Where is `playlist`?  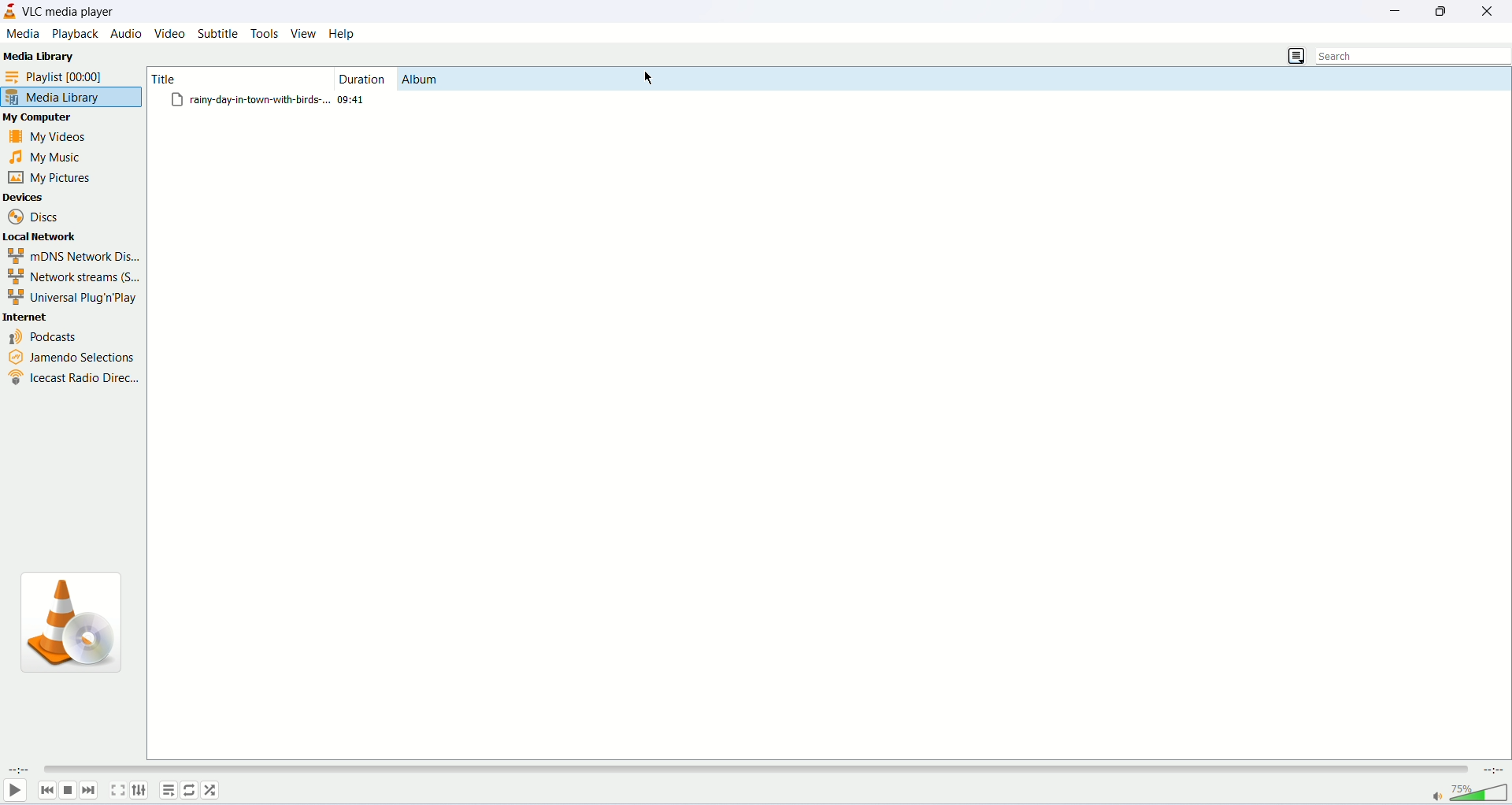 playlist is located at coordinates (167, 791).